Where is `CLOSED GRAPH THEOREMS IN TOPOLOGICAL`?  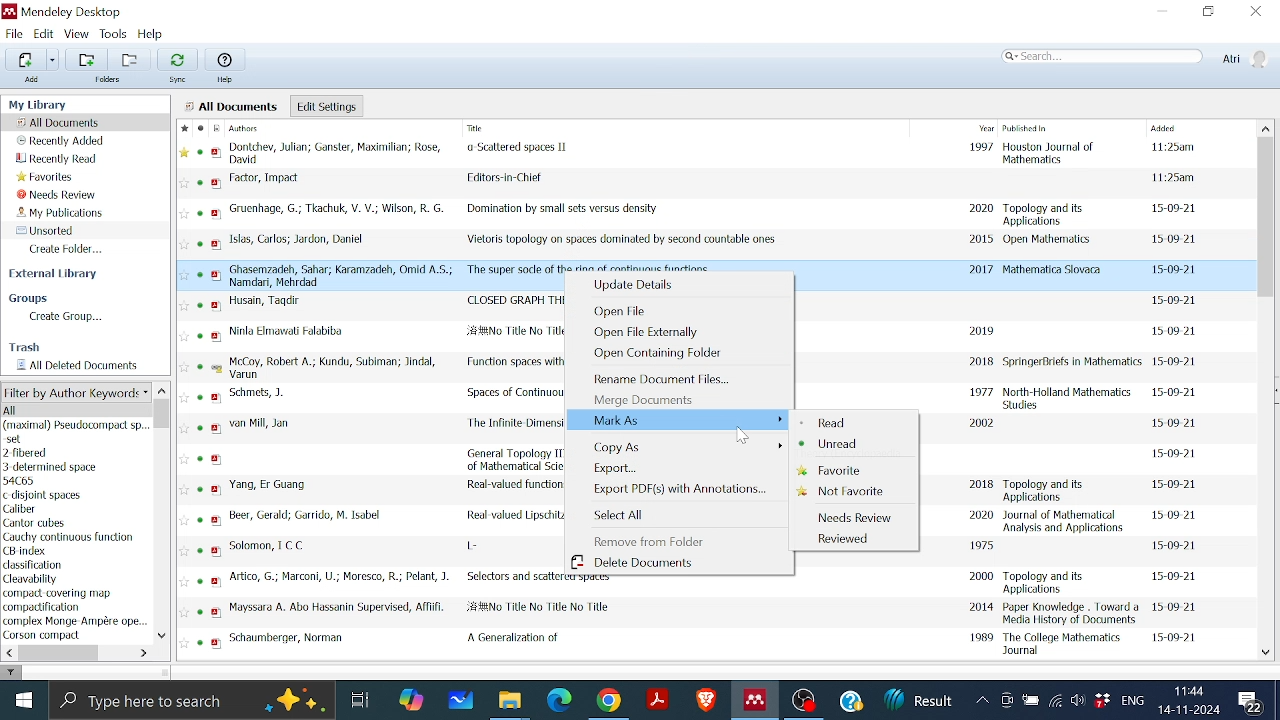 CLOSED GRAPH THEOREMS IN TOPOLOGICAL is located at coordinates (371, 305).